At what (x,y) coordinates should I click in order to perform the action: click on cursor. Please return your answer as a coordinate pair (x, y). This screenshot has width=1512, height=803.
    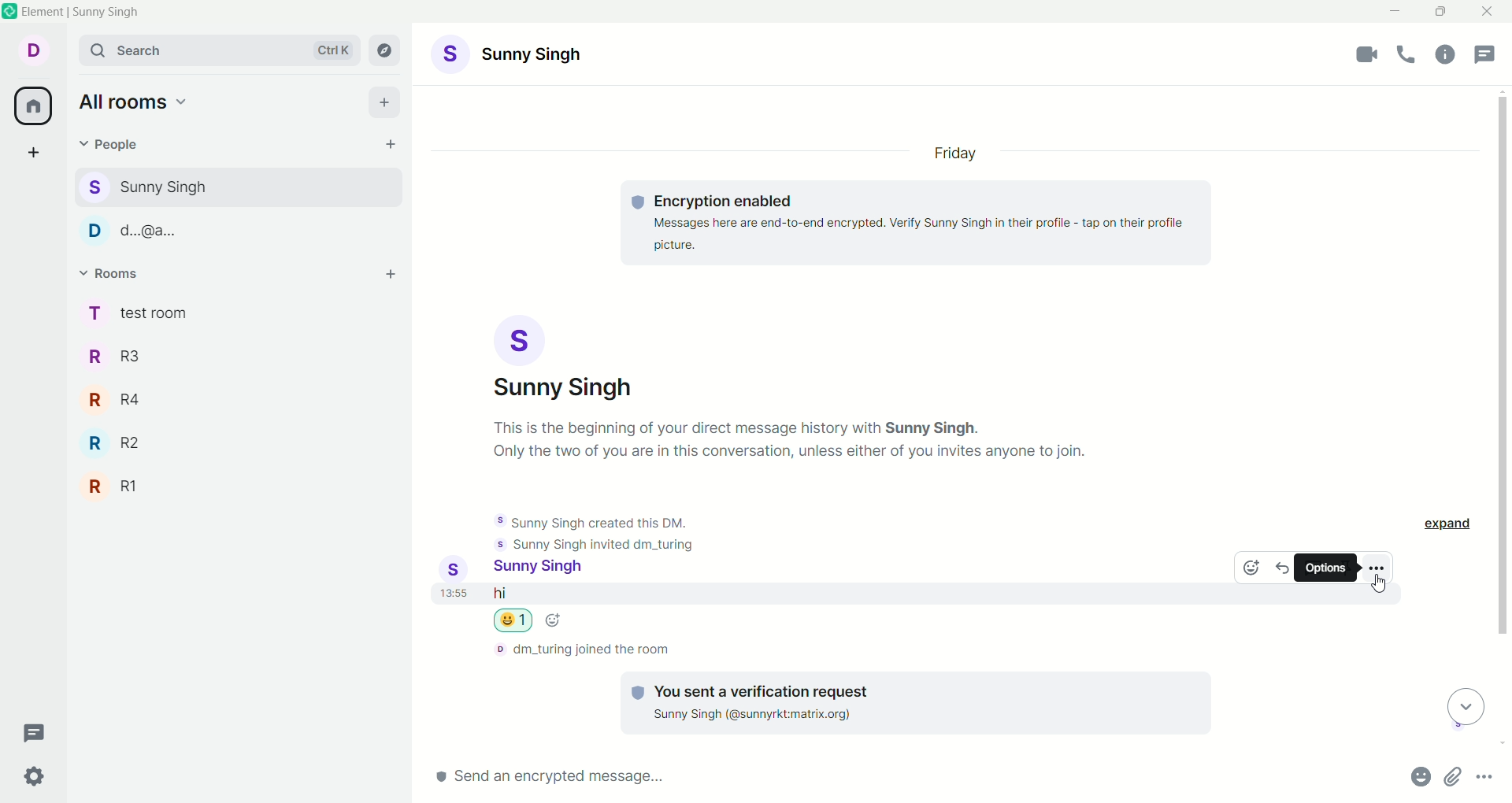
    Looking at the image, I should click on (1383, 585).